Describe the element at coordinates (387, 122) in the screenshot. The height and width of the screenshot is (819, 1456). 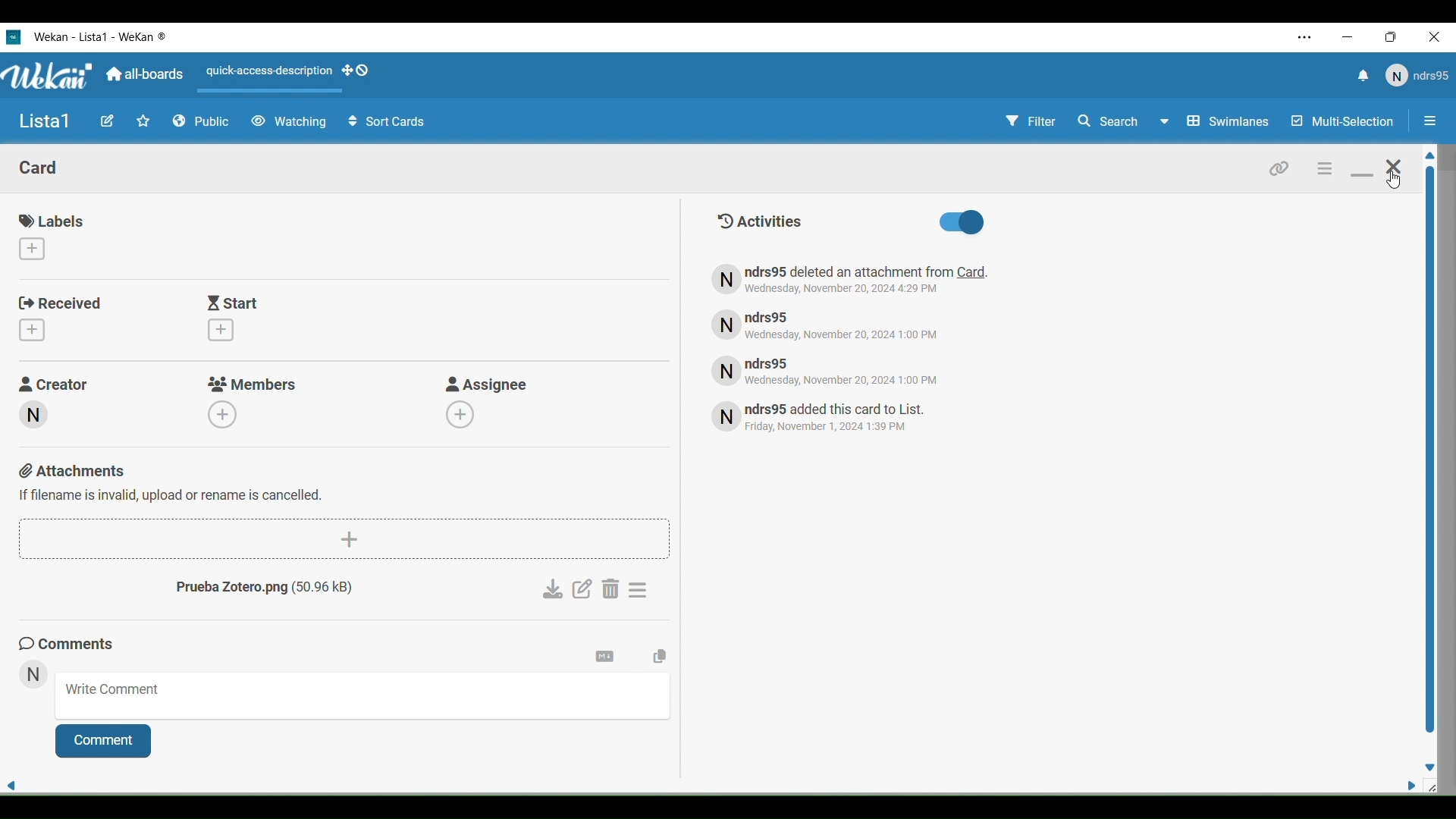
I see `Sort Cells` at that location.